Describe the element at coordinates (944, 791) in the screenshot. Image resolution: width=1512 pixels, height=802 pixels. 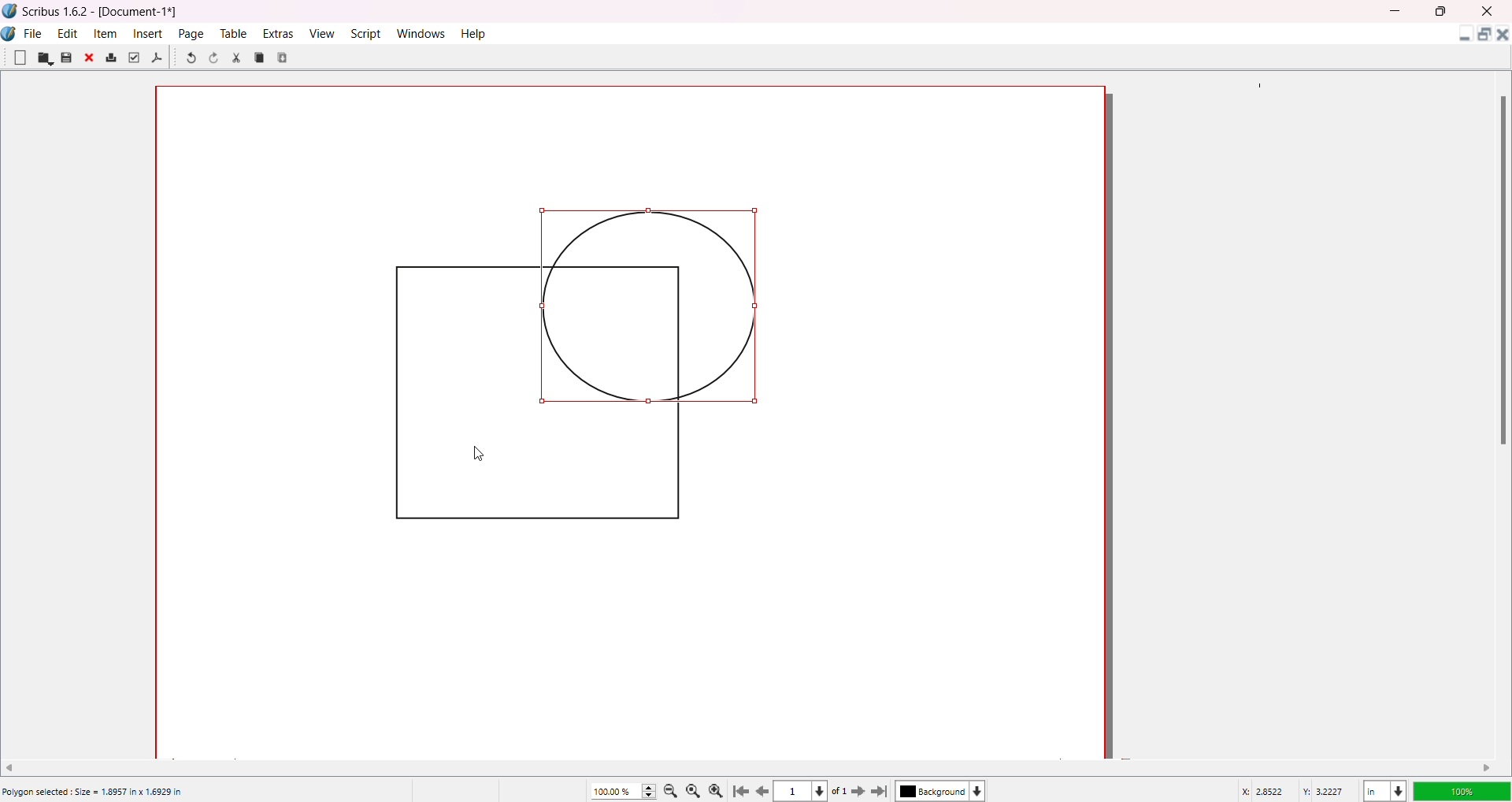
I see `Background color` at that location.